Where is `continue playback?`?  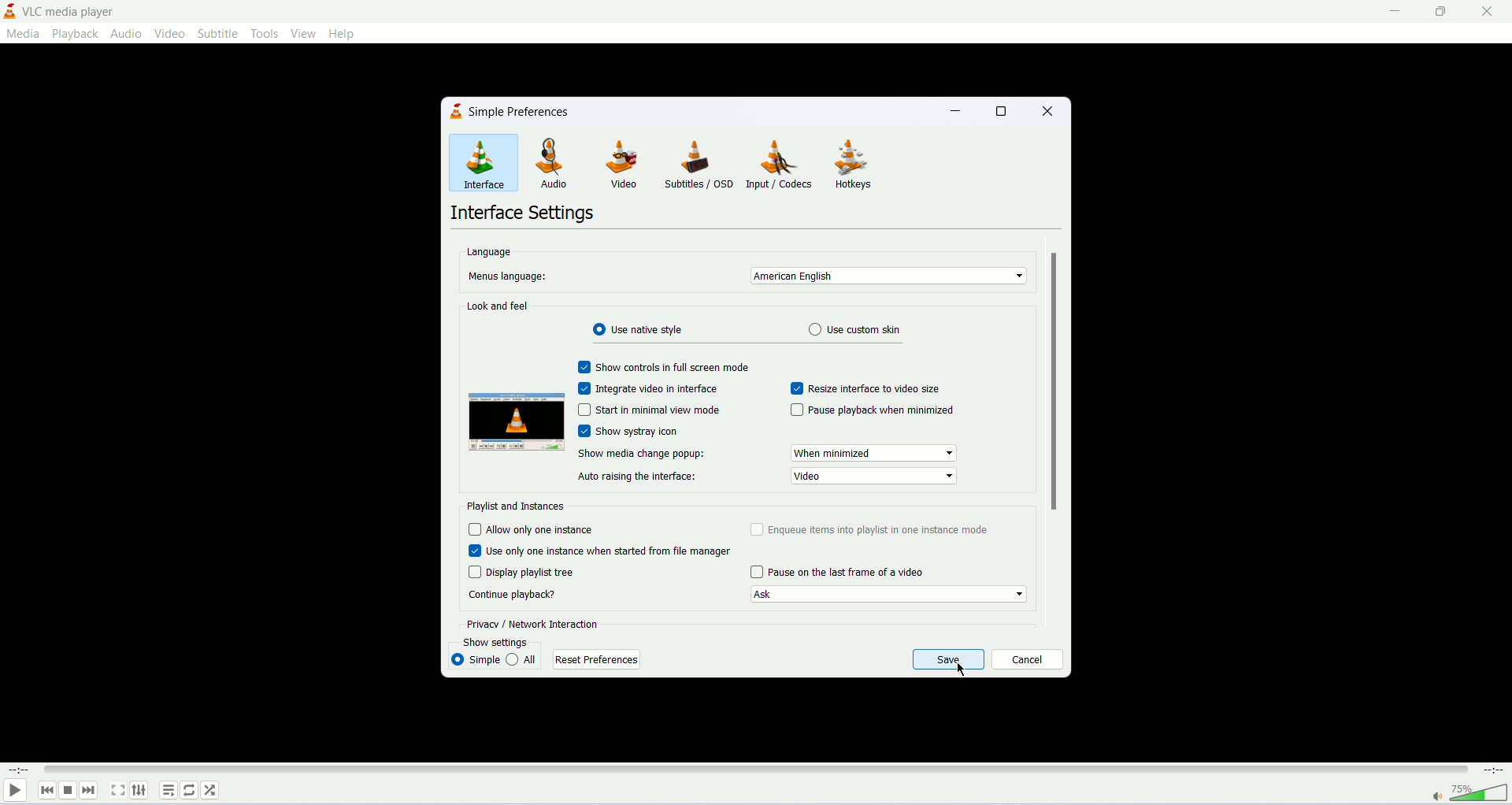
continue playback? is located at coordinates (512, 594).